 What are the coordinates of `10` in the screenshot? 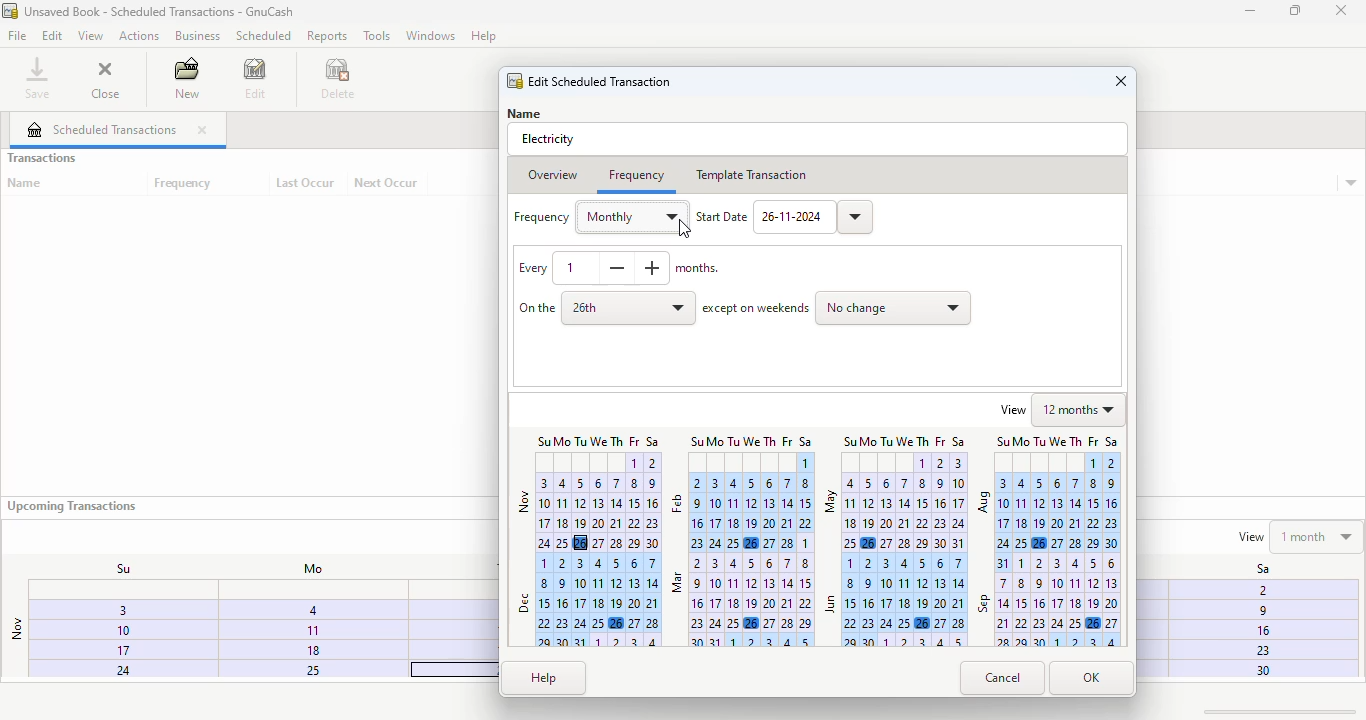 It's located at (106, 631).